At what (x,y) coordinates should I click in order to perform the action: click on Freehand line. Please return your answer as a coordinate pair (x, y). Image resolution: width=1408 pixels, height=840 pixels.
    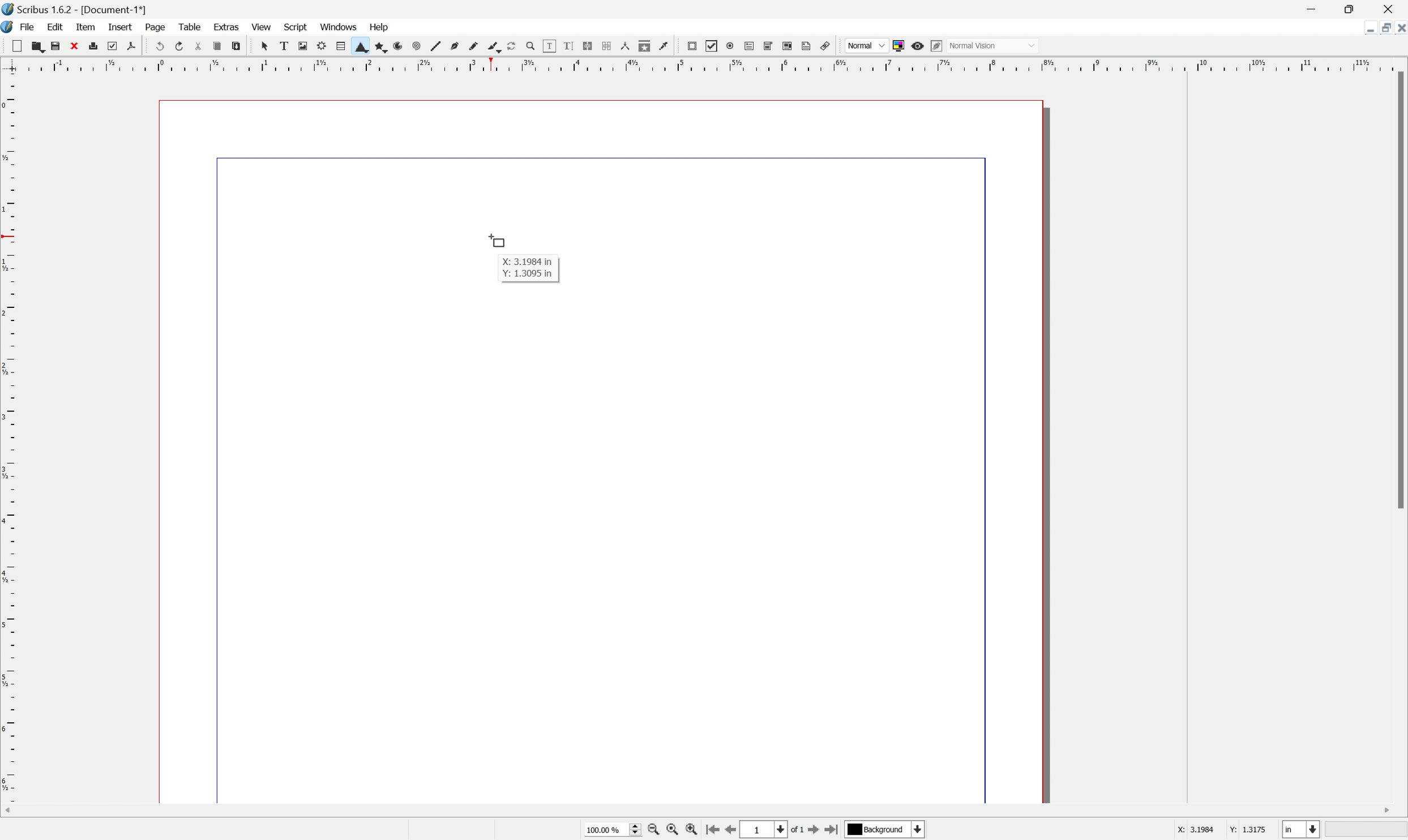
    Looking at the image, I should click on (474, 46).